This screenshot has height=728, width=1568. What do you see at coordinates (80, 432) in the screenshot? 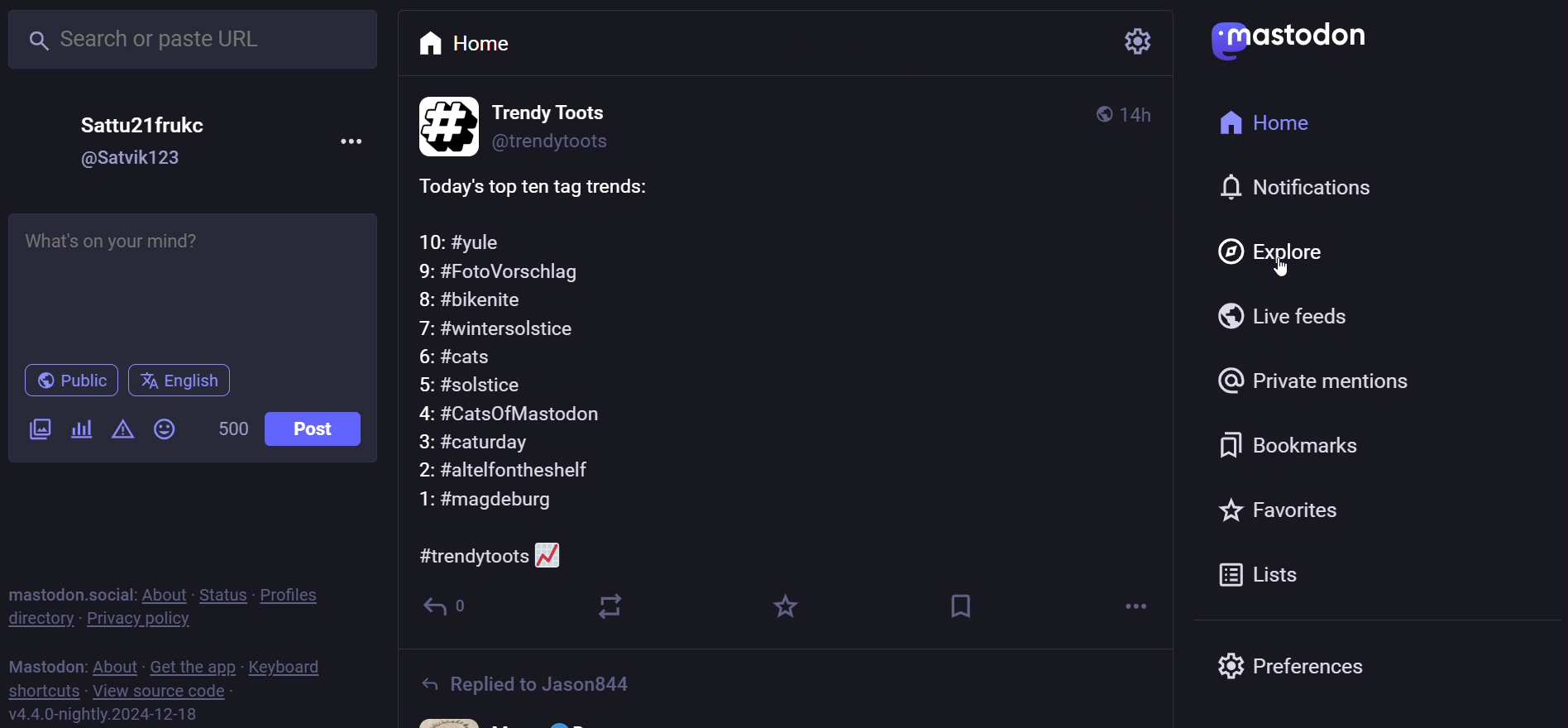
I see `poll` at bounding box center [80, 432].